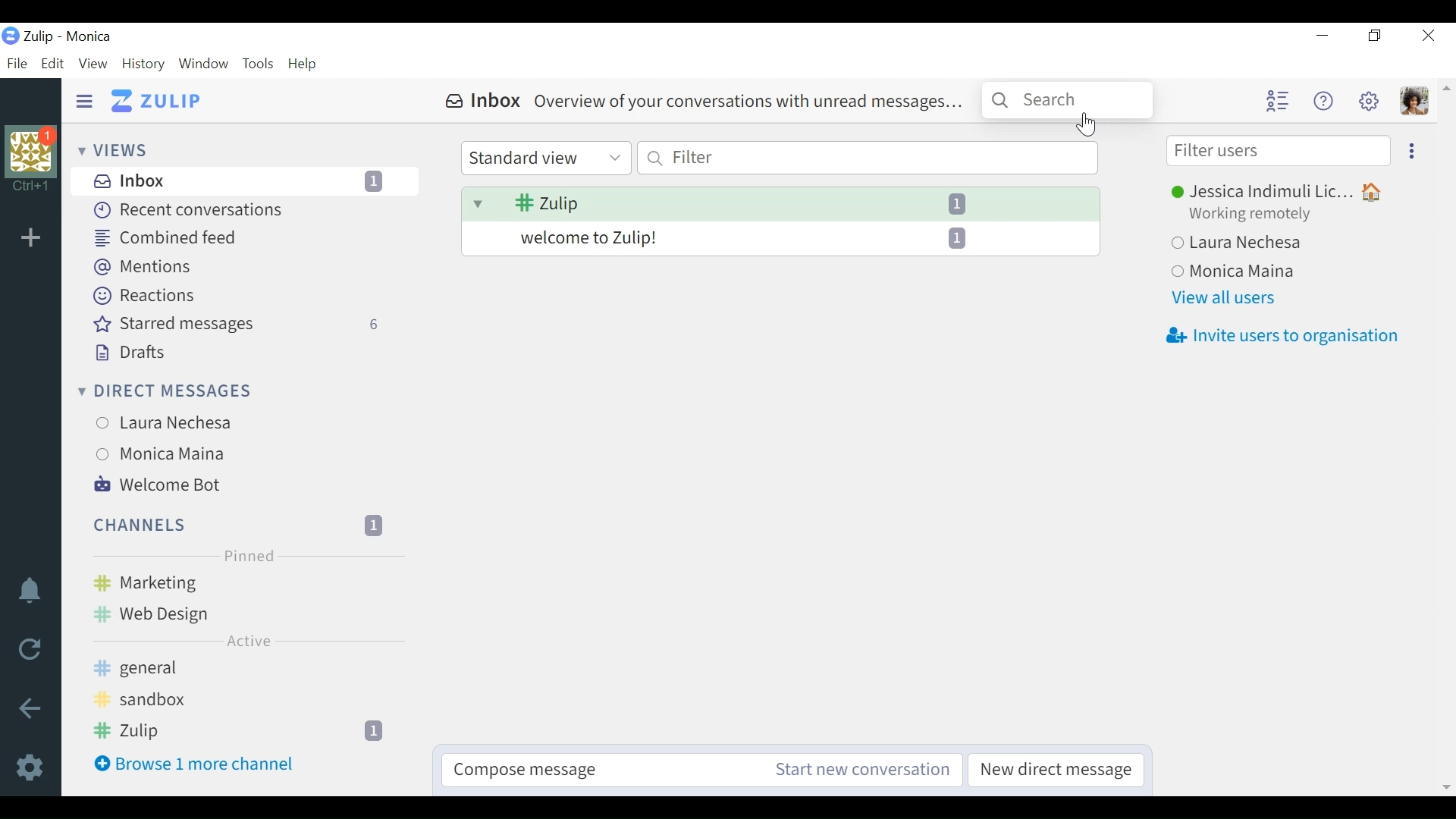 This screenshot has height=819, width=1456. I want to click on minimize, so click(1320, 35).